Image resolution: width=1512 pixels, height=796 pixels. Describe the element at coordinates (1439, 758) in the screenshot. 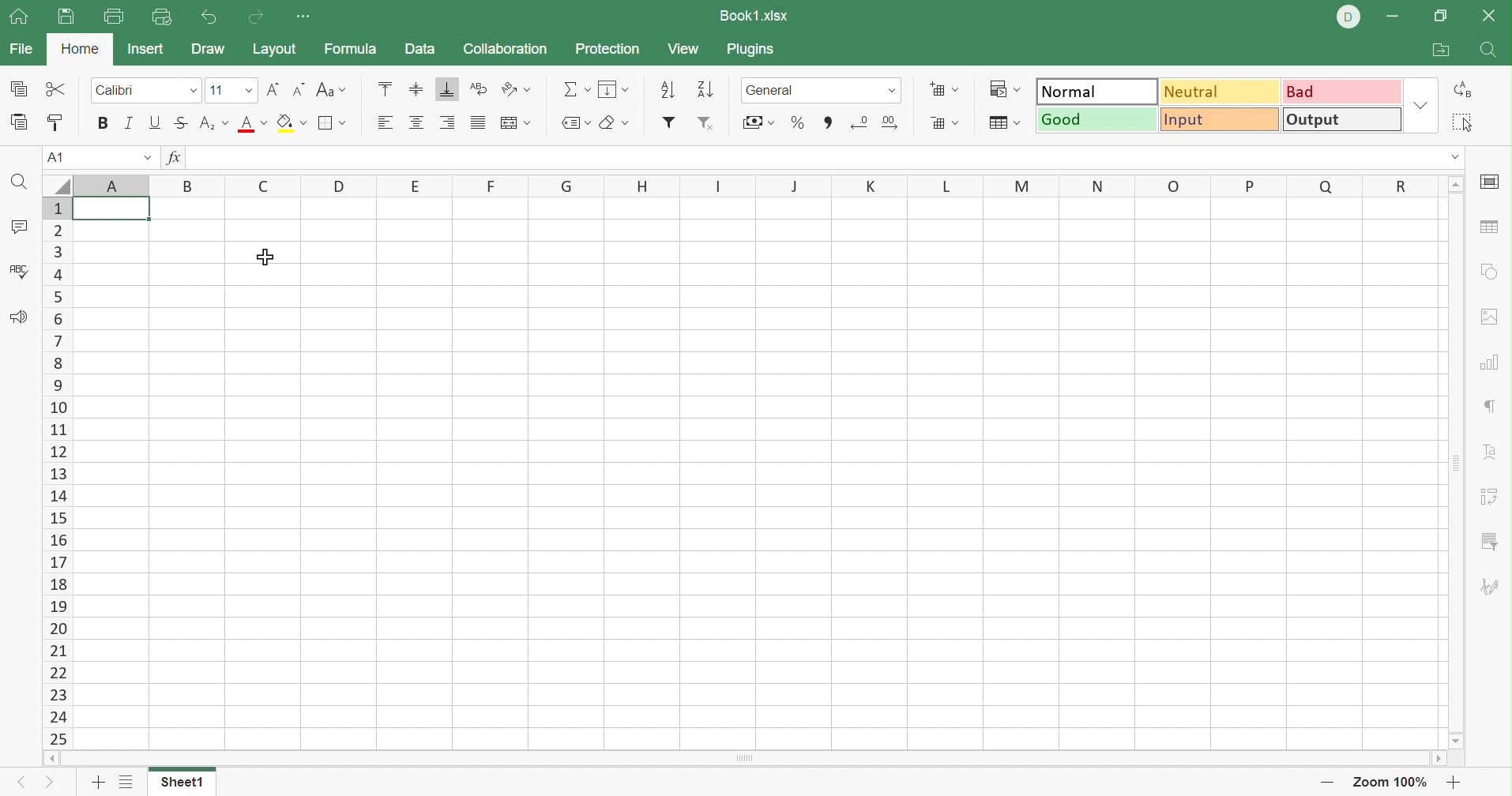

I see `Scroll right` at that location.